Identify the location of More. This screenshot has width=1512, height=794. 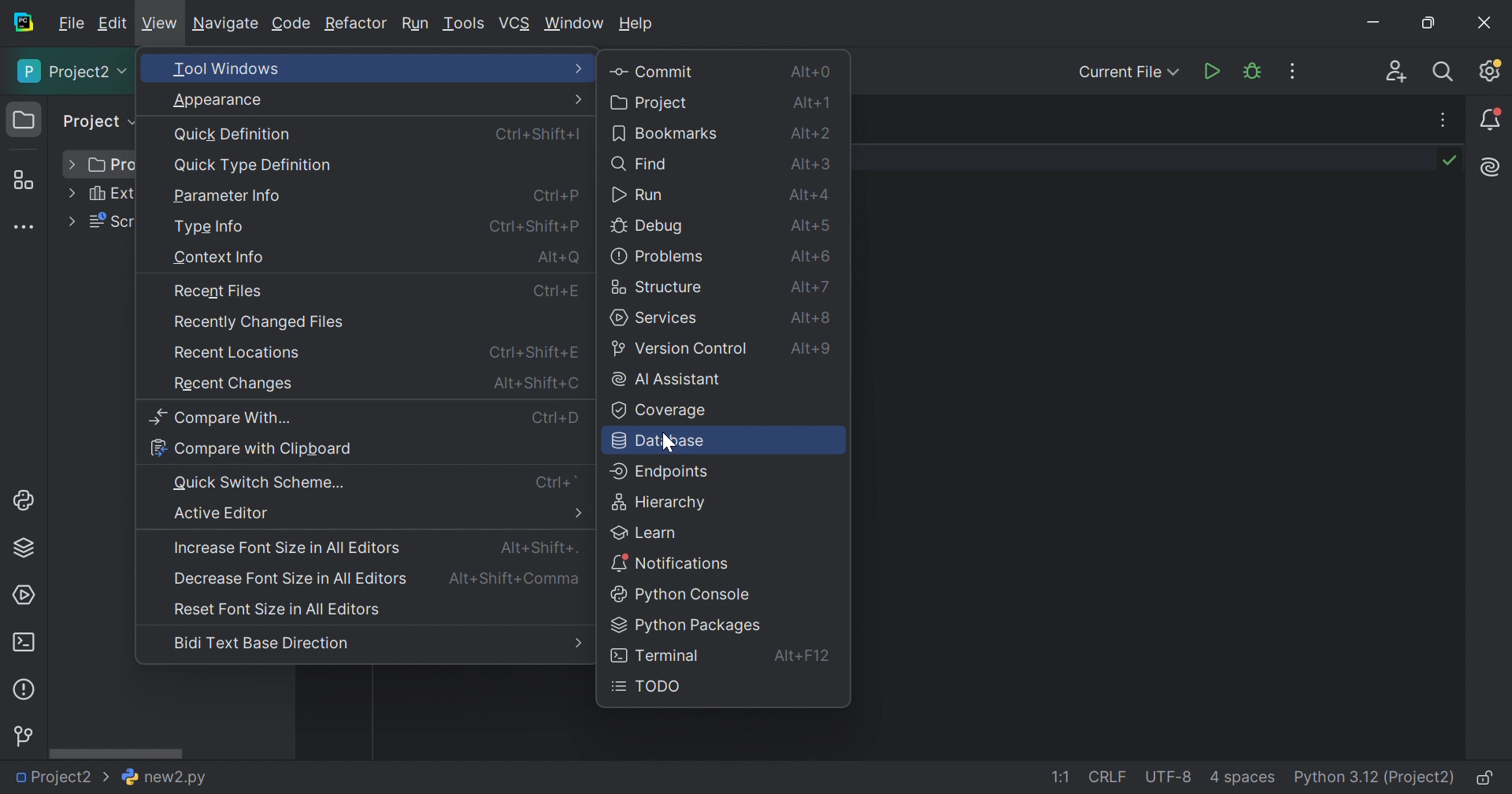
(577, 98).